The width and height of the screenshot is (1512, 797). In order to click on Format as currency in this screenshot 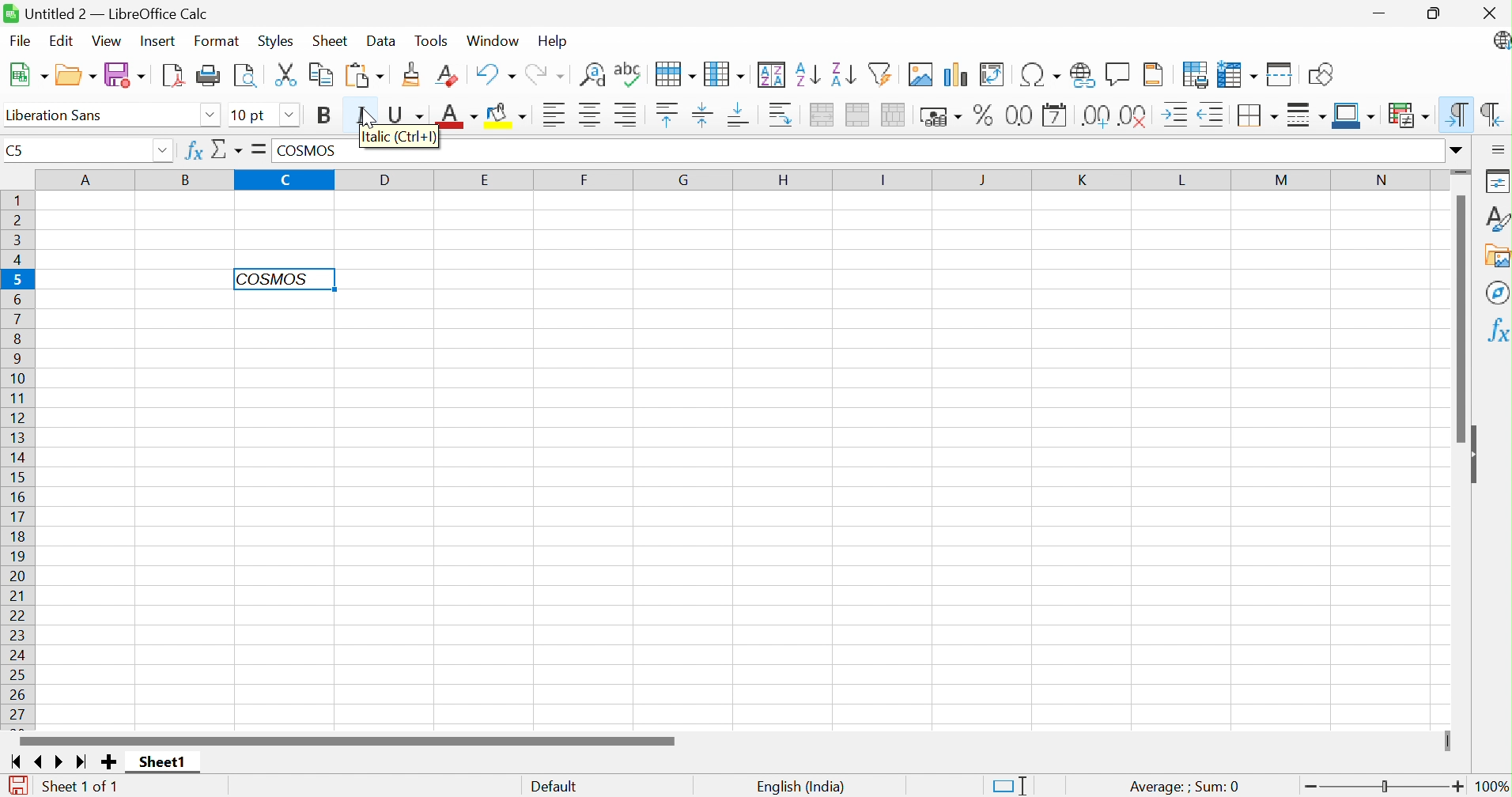, I will do `click(940, 118)`.